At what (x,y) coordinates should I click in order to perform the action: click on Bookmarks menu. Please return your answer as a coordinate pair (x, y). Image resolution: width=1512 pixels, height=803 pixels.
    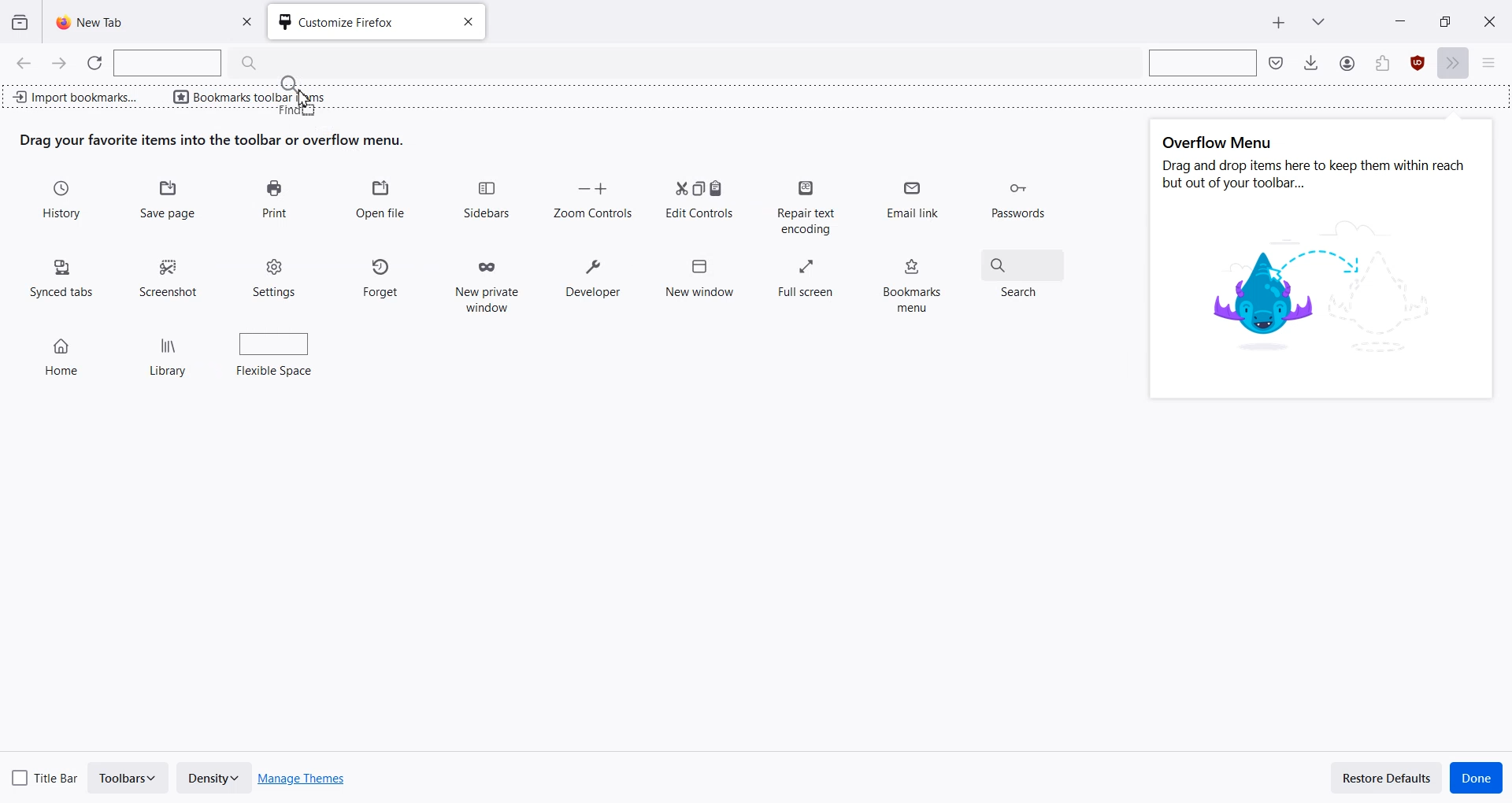
    Looking at the image, I should click on (913, 279).